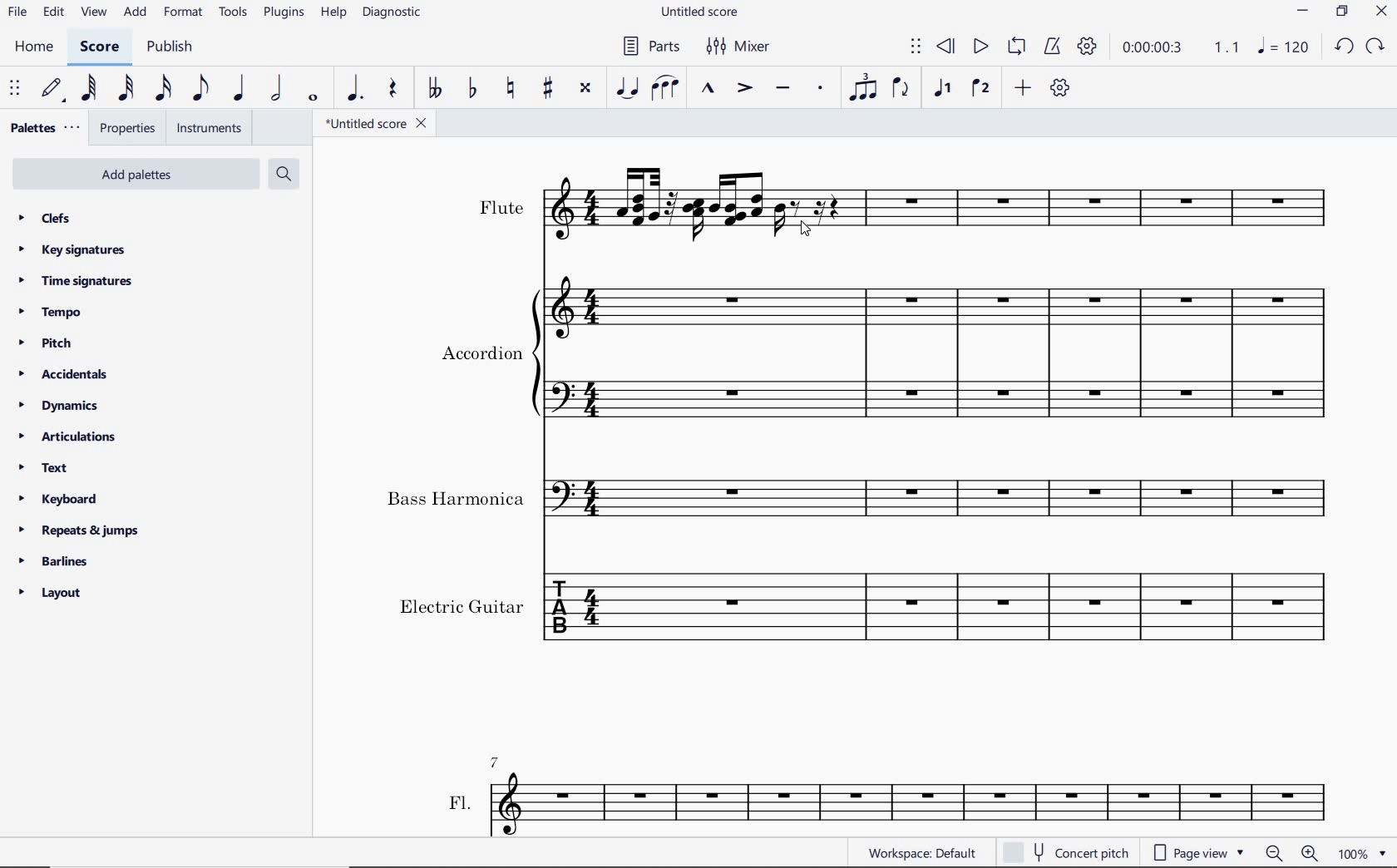 The image size is (1397, 868). What do you see at coordinates (1069, 851) in the screenshot?
I see `concert pitch` at bounding box center [1069, 851].